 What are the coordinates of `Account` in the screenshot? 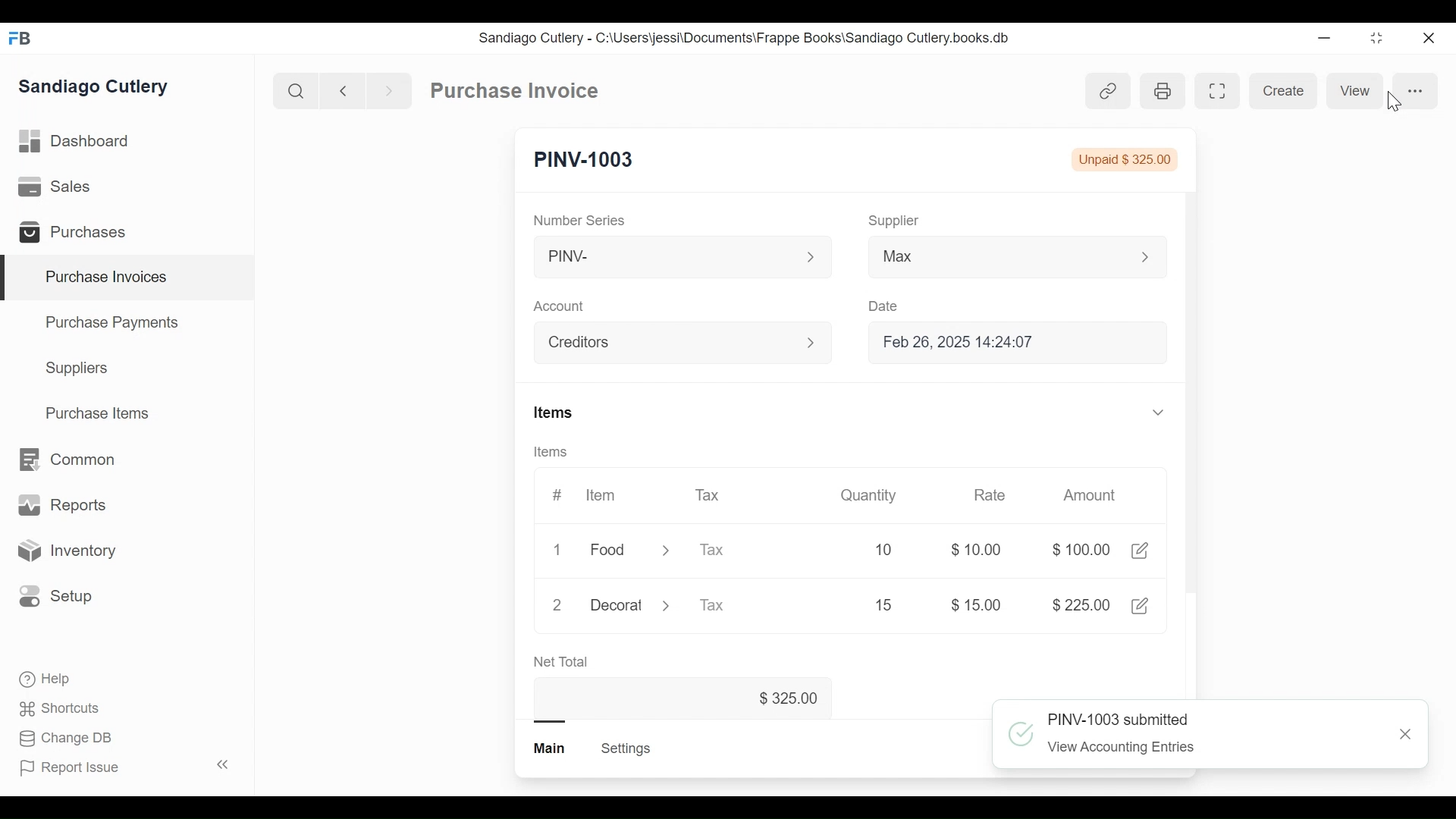 It's located at (664, 345).